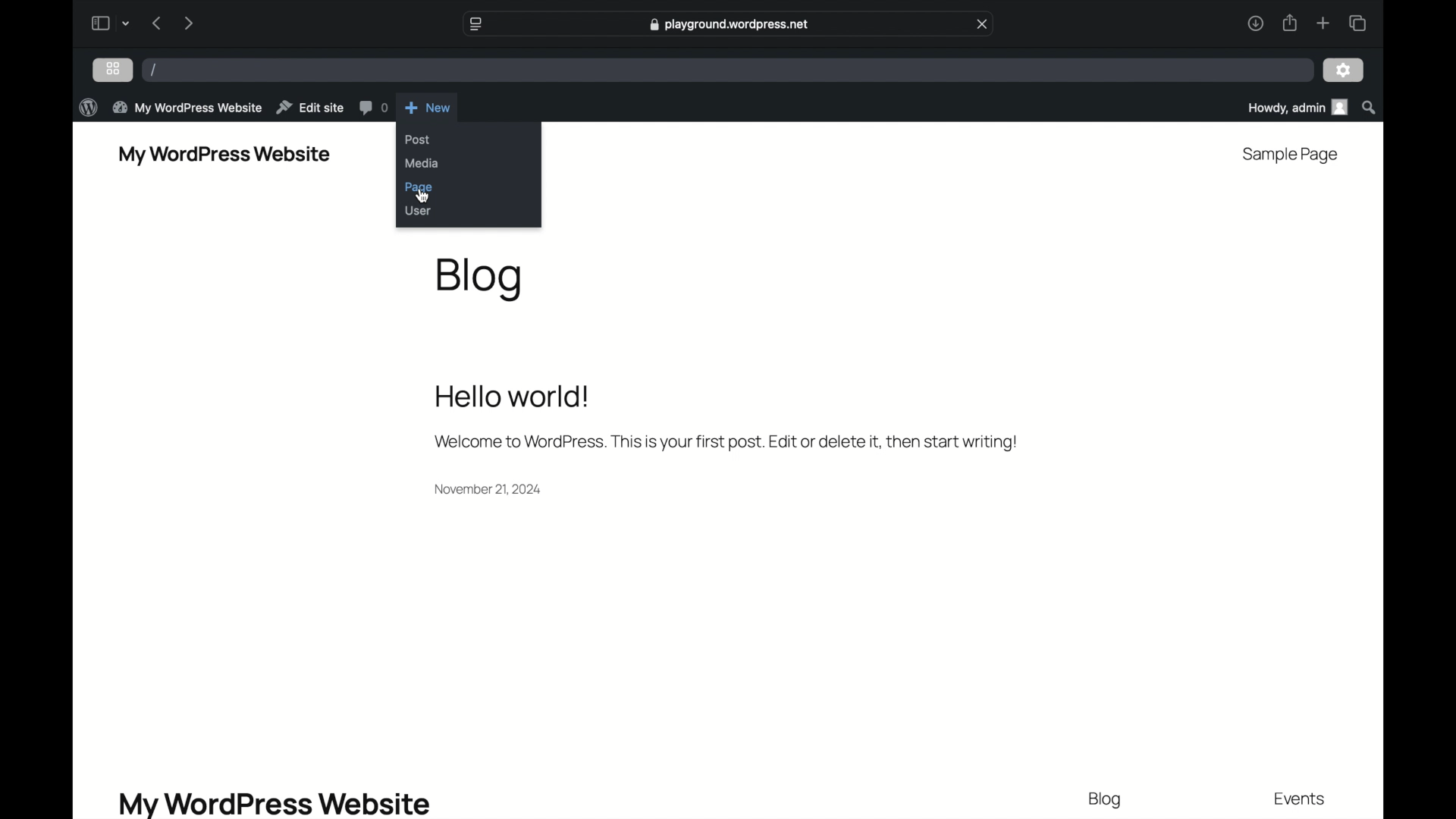 Image resolution: width=1456 pixels, height=819 pixels. Describe the element at coordinates (419, 211) in the screenshot. I see `user` at that location.